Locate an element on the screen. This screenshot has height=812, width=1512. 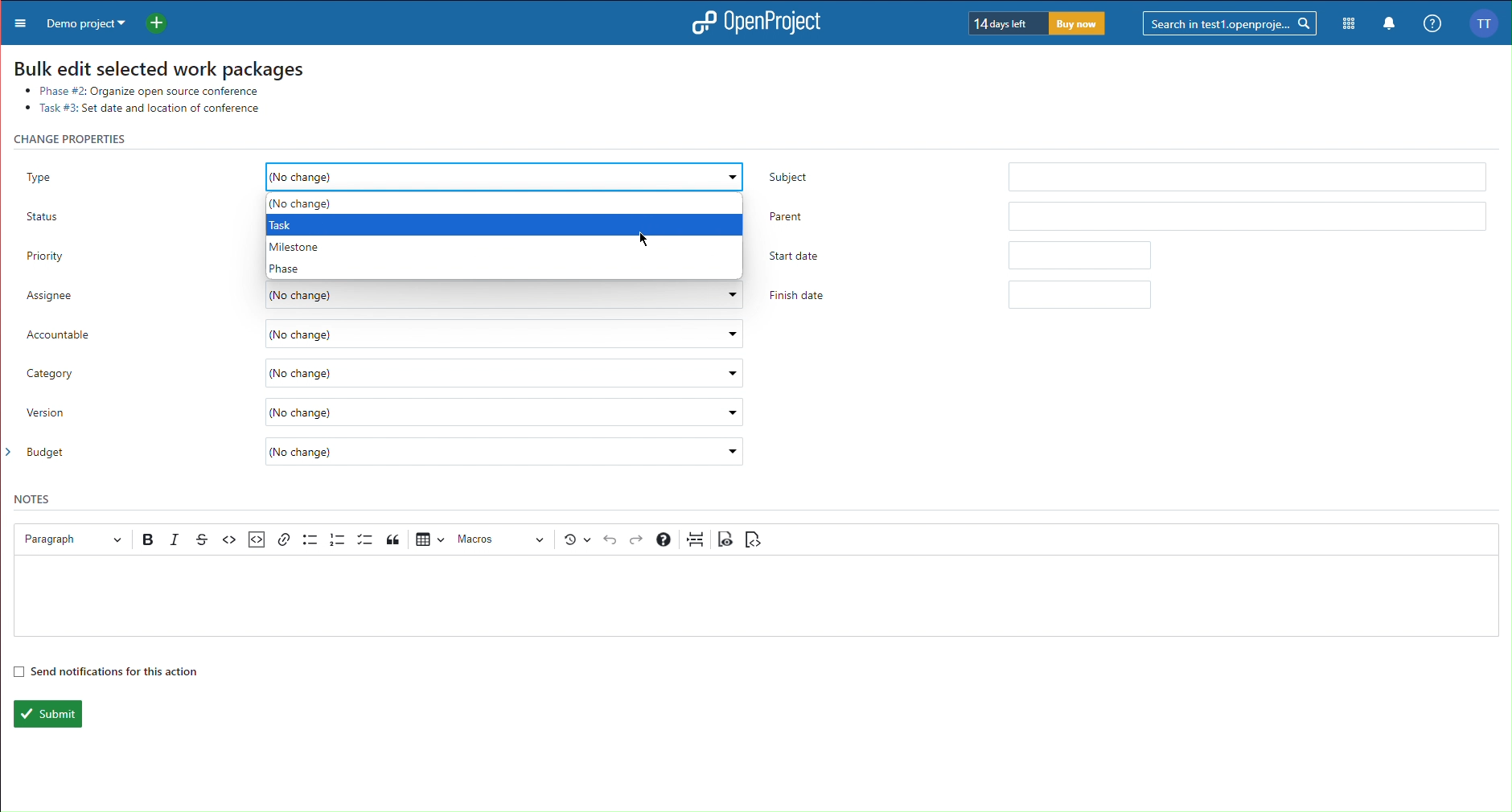
Accountable is located at coordinates (387, 334).